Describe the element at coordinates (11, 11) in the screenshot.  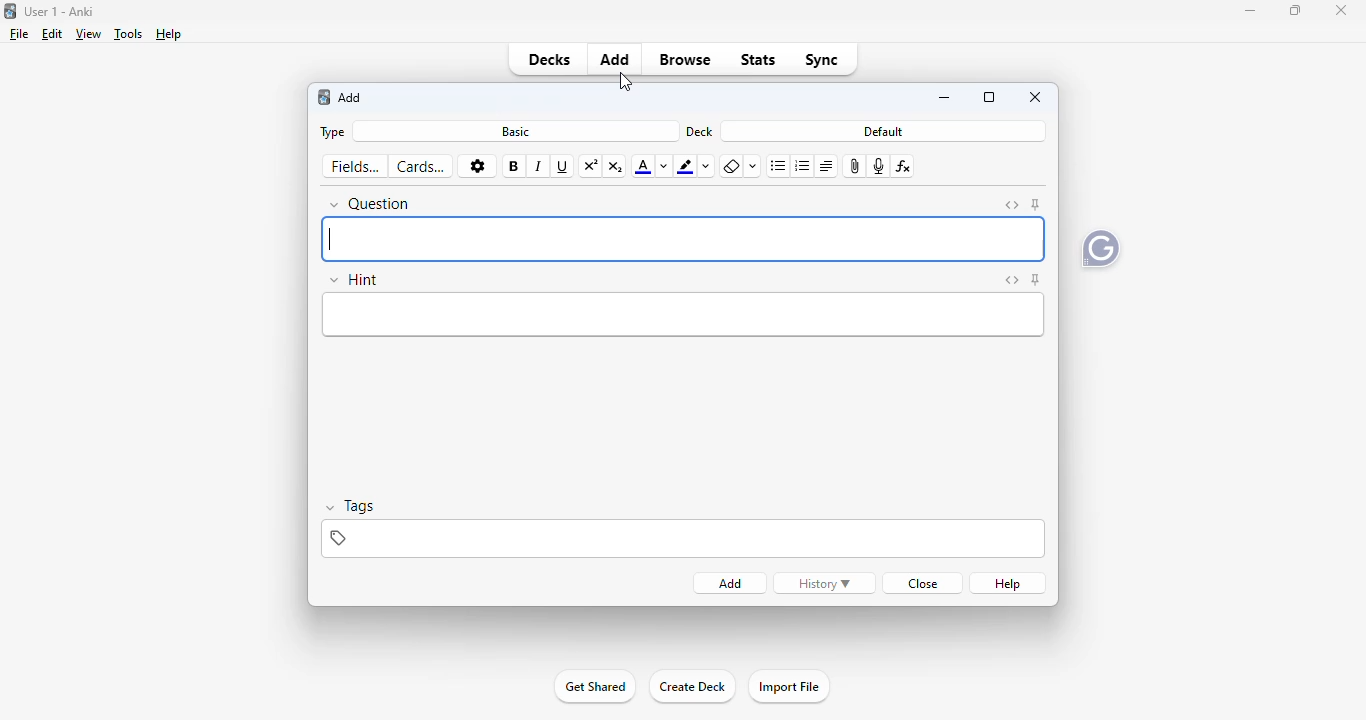
I see `logo` at that location.